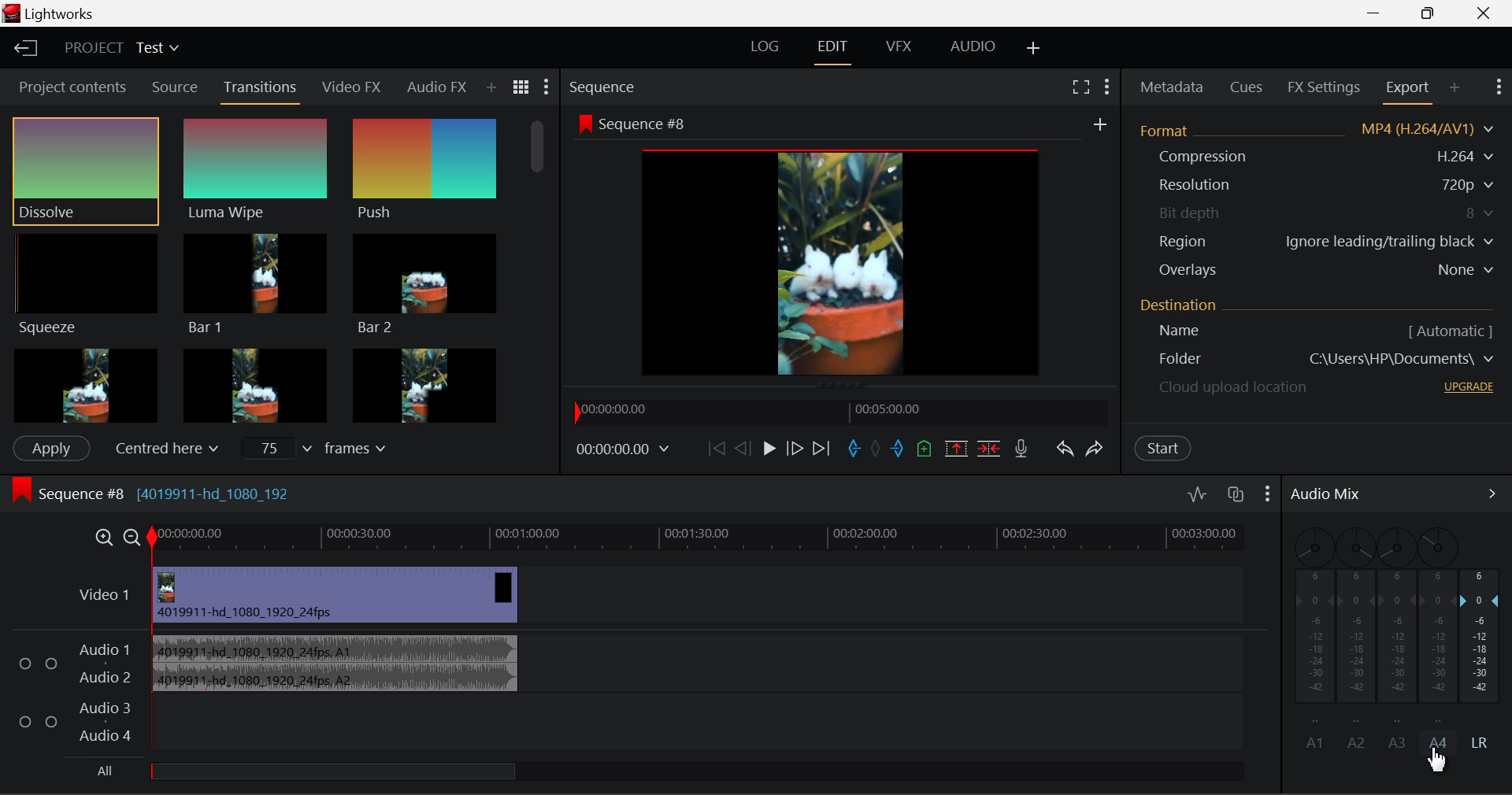 The width and height of the screenshot is (1512, 795). I want to click on Dissolve, so click(85, 169).